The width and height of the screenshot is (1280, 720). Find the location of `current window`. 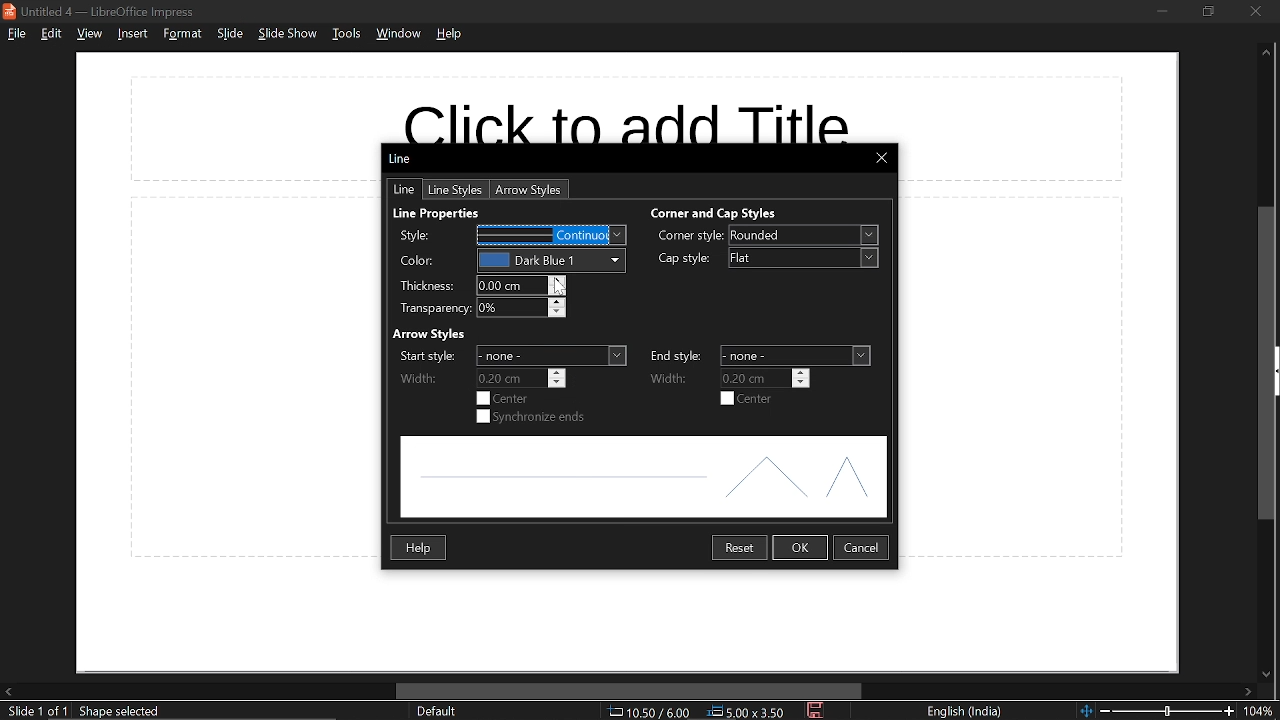

current window is located at coordinates (100, 11).